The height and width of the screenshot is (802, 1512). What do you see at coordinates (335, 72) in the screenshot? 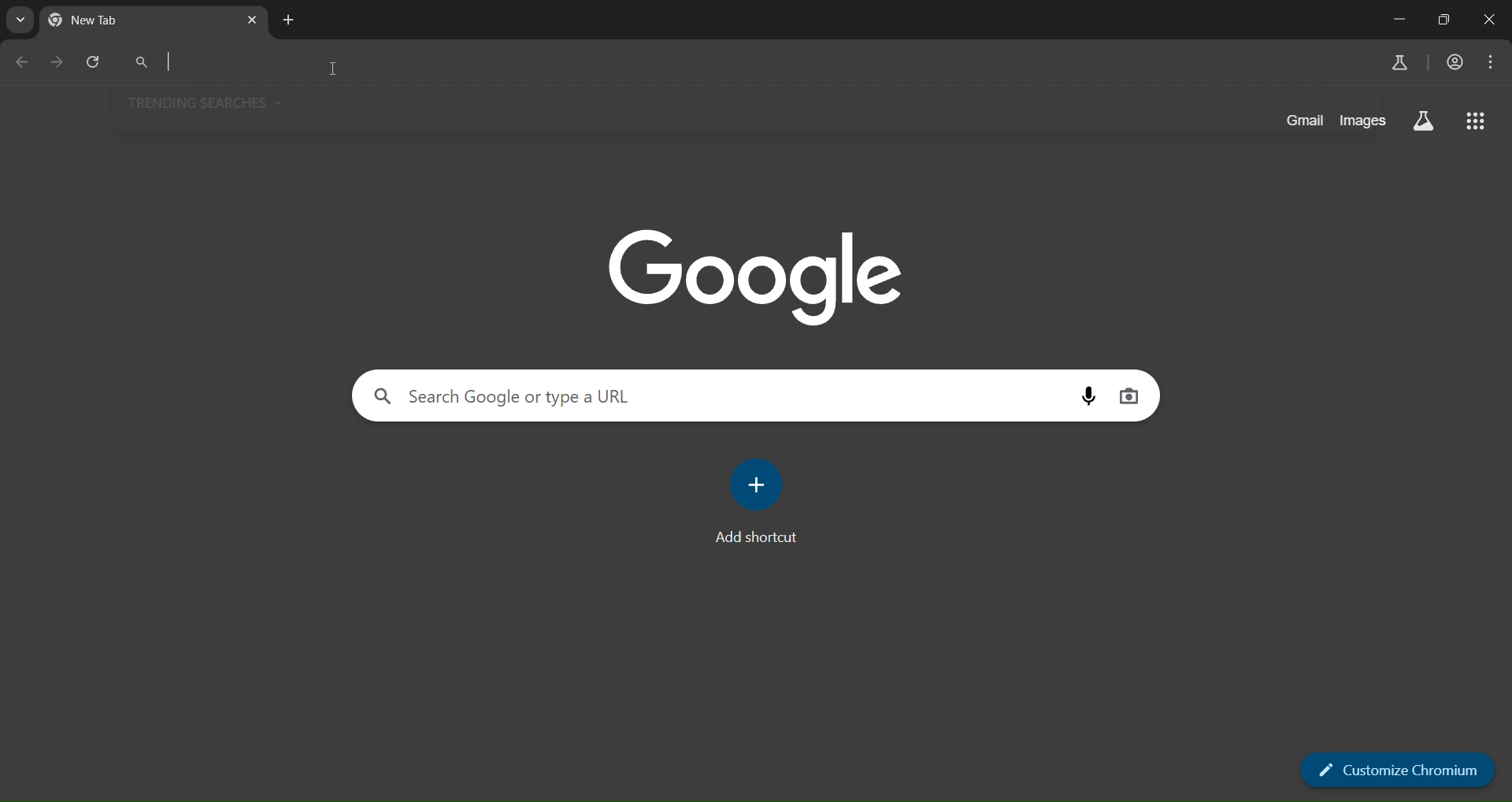
I see `cursor` at bounding box center [335, 72].